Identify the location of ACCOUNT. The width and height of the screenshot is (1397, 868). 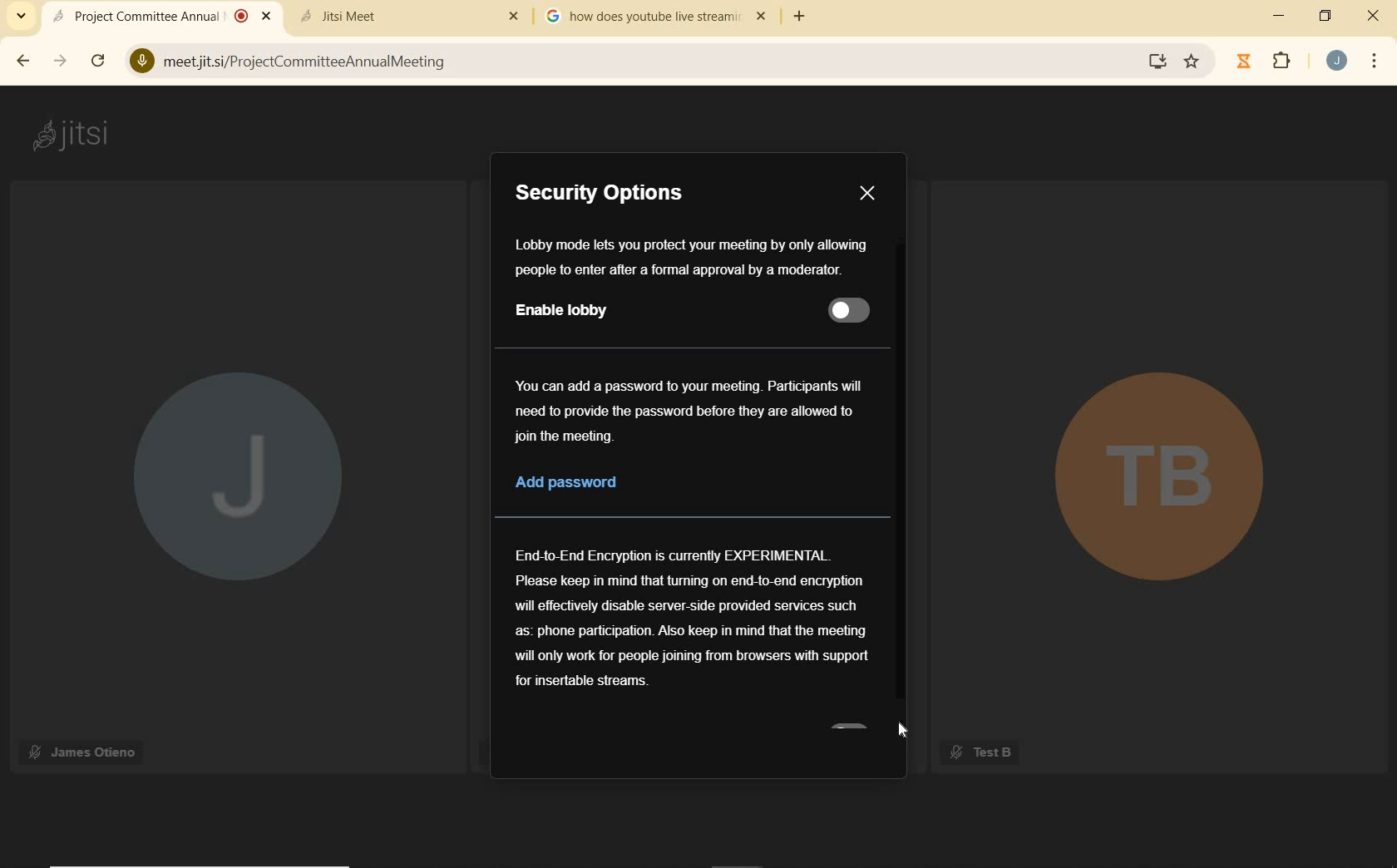
(1336, 60).